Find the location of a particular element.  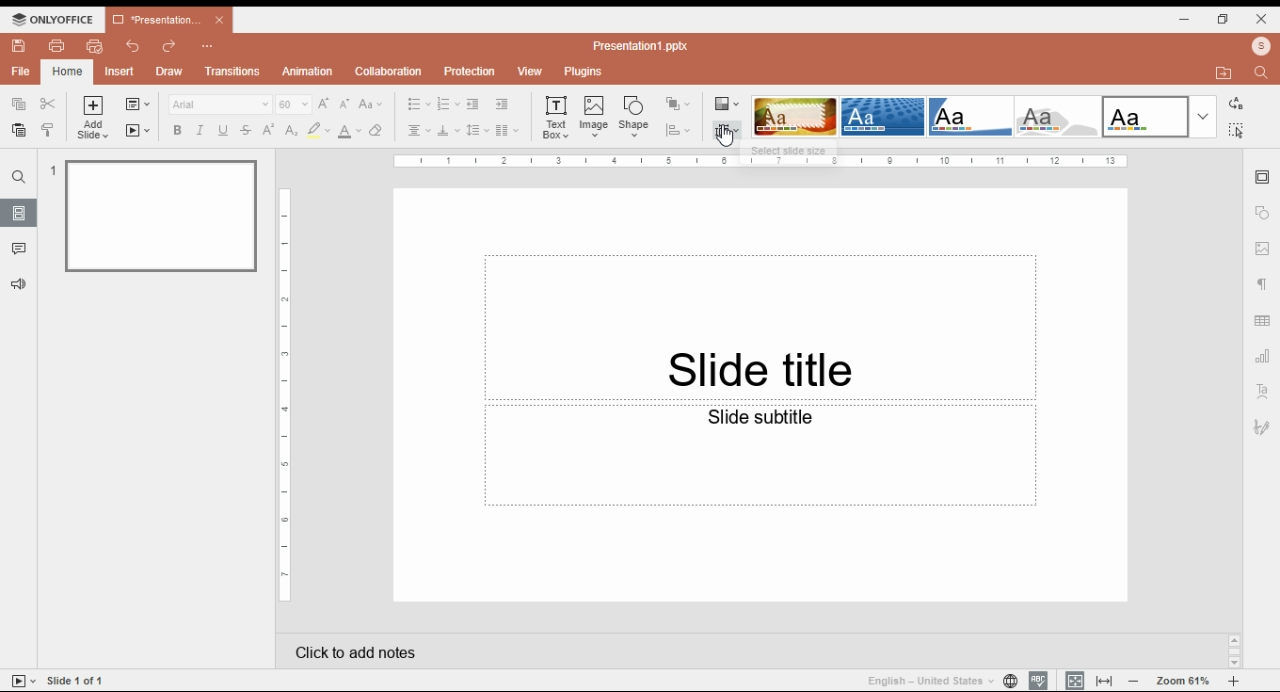

Customize quick access is located at coordinates (208, 46).